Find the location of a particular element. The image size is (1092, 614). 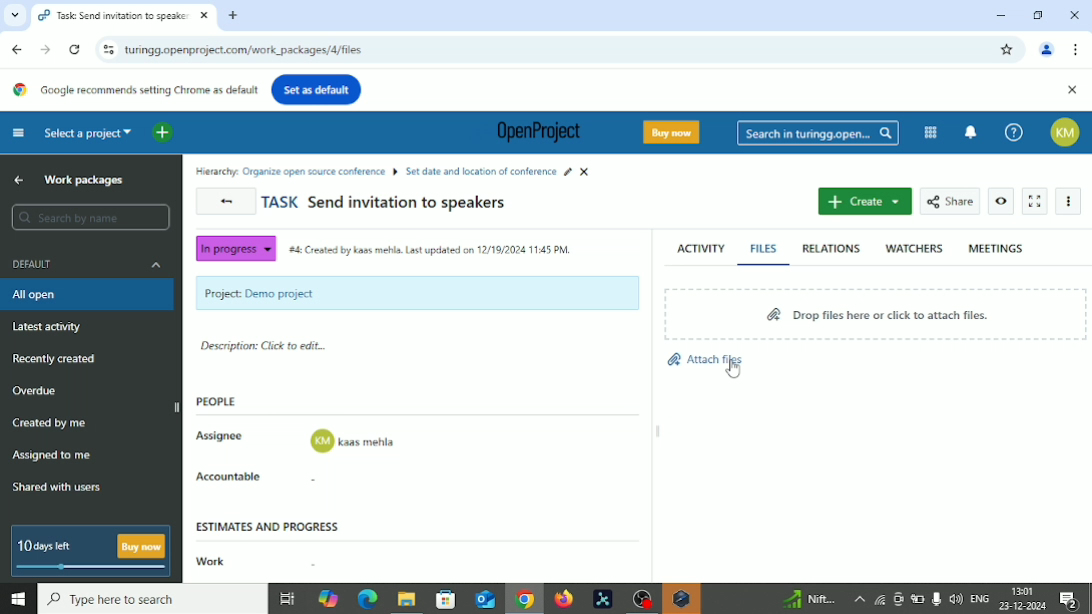

Files is located at coordinates (766, 248).